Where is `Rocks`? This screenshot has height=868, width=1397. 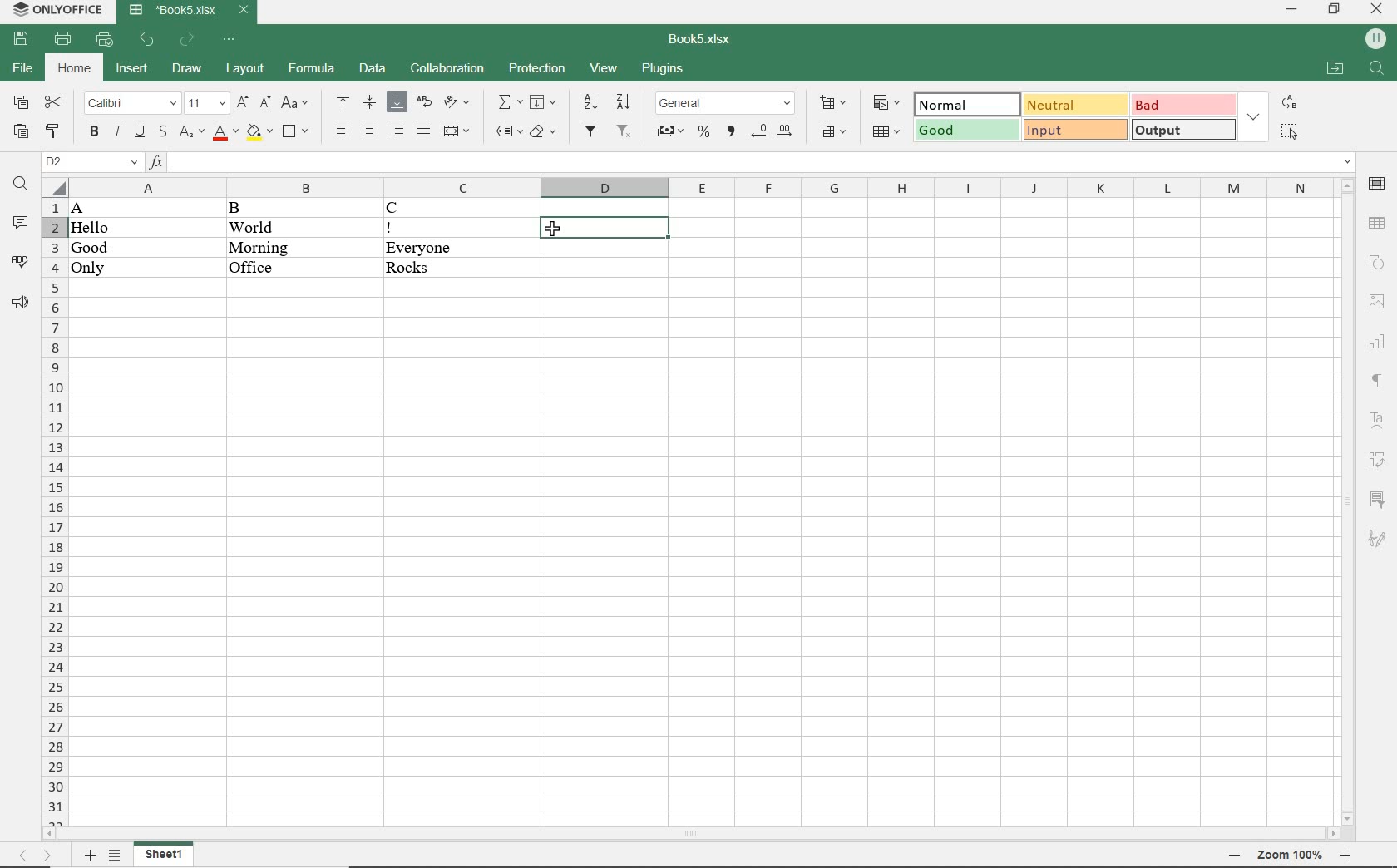 Rocks is located at coordinates (460, 269).